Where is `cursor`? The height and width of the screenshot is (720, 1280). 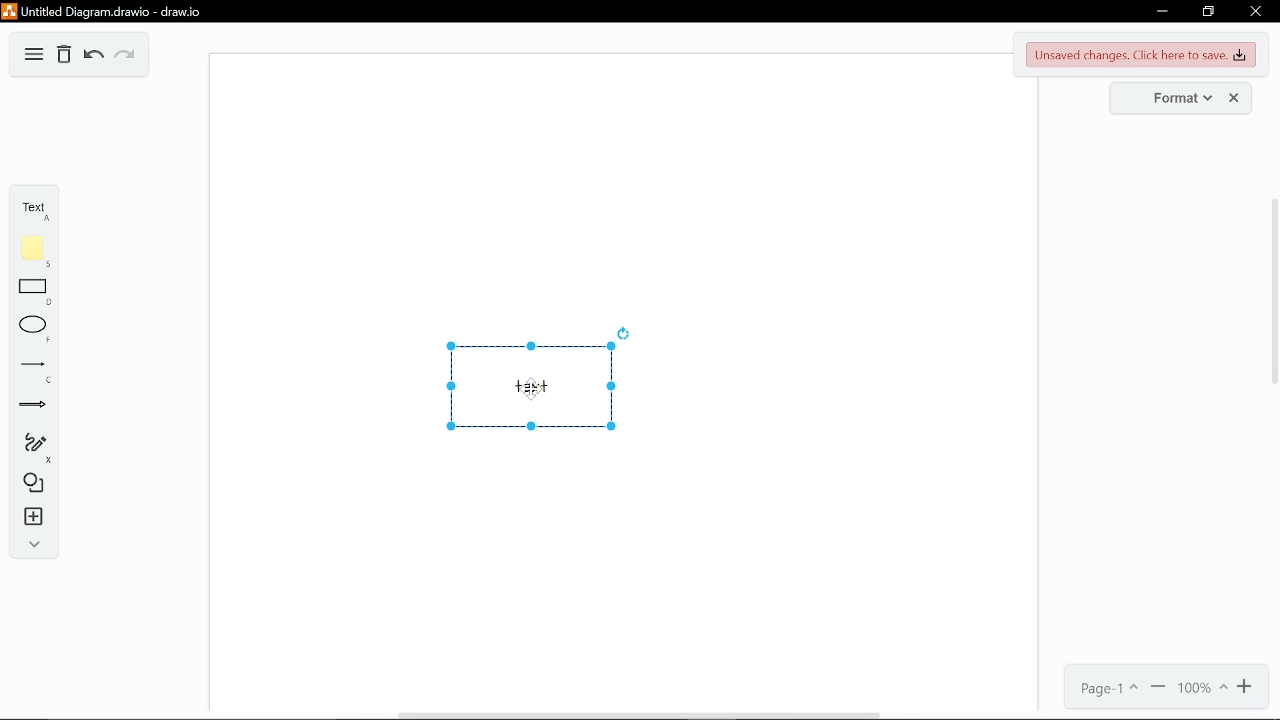 cursor is located at coordinates (530, 388).